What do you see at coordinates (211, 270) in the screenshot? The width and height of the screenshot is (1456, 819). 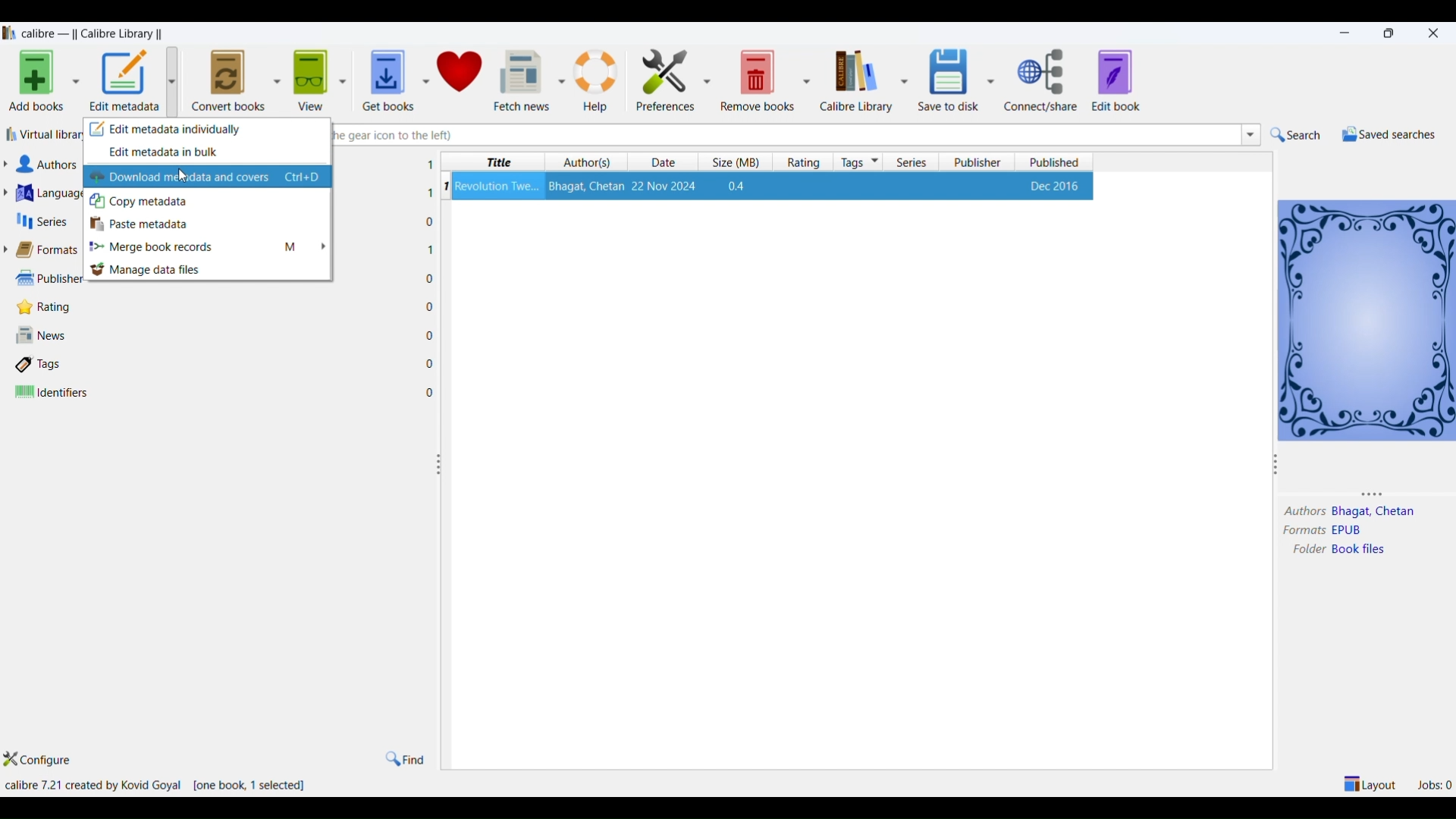 I see `manage data files` at bounding box center [211, 270].